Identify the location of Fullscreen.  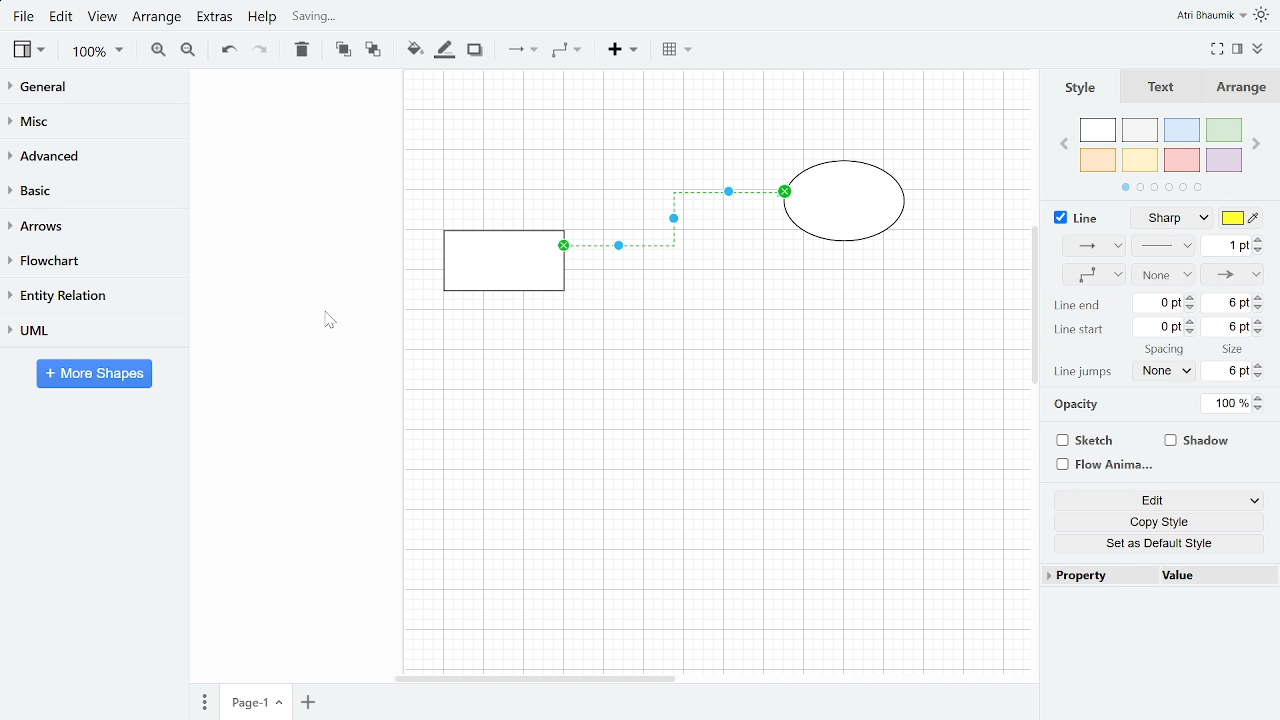
(1218, 49).